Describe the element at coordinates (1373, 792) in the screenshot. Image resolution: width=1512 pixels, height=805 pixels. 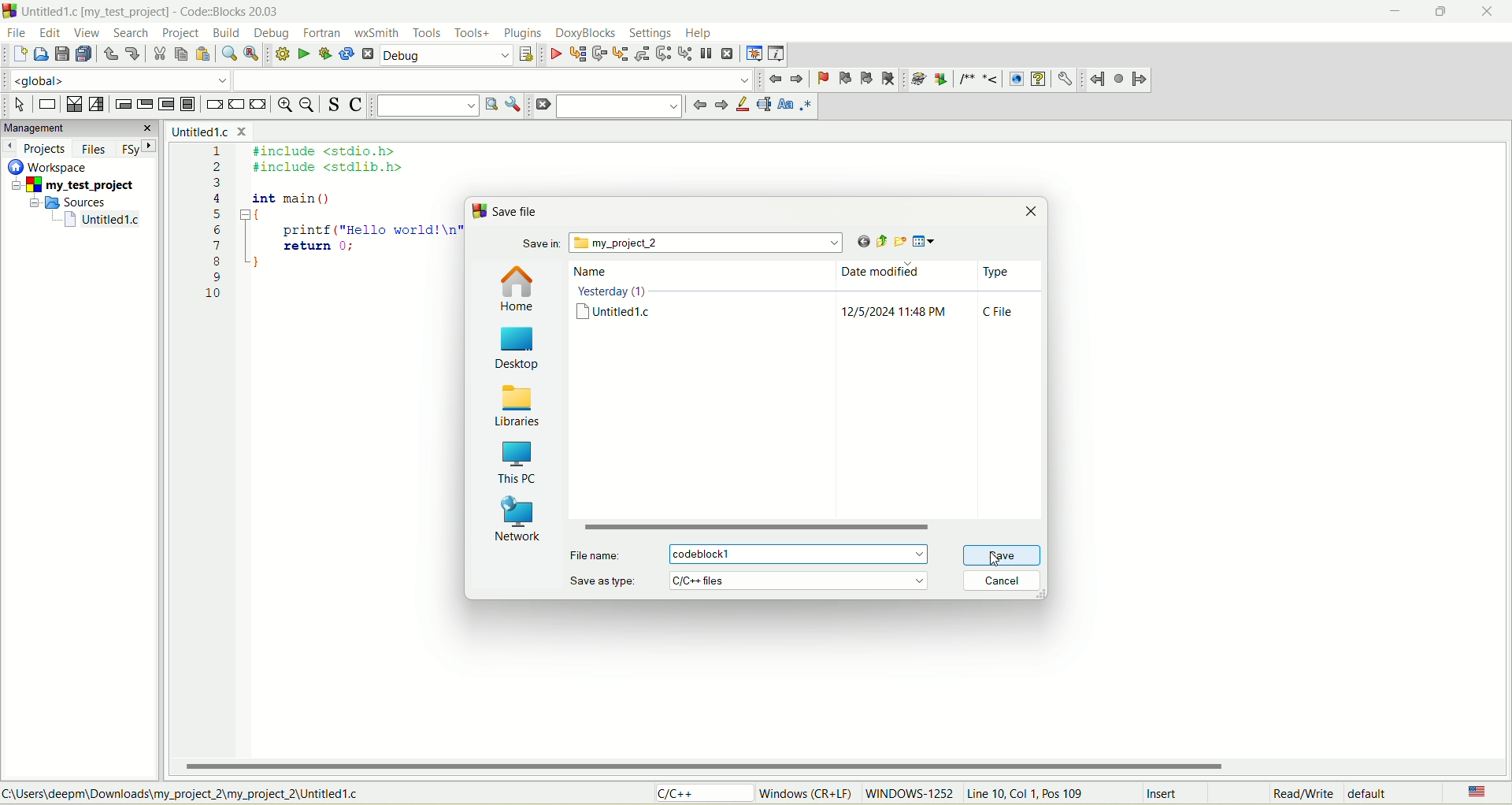
I see `default` at that location.